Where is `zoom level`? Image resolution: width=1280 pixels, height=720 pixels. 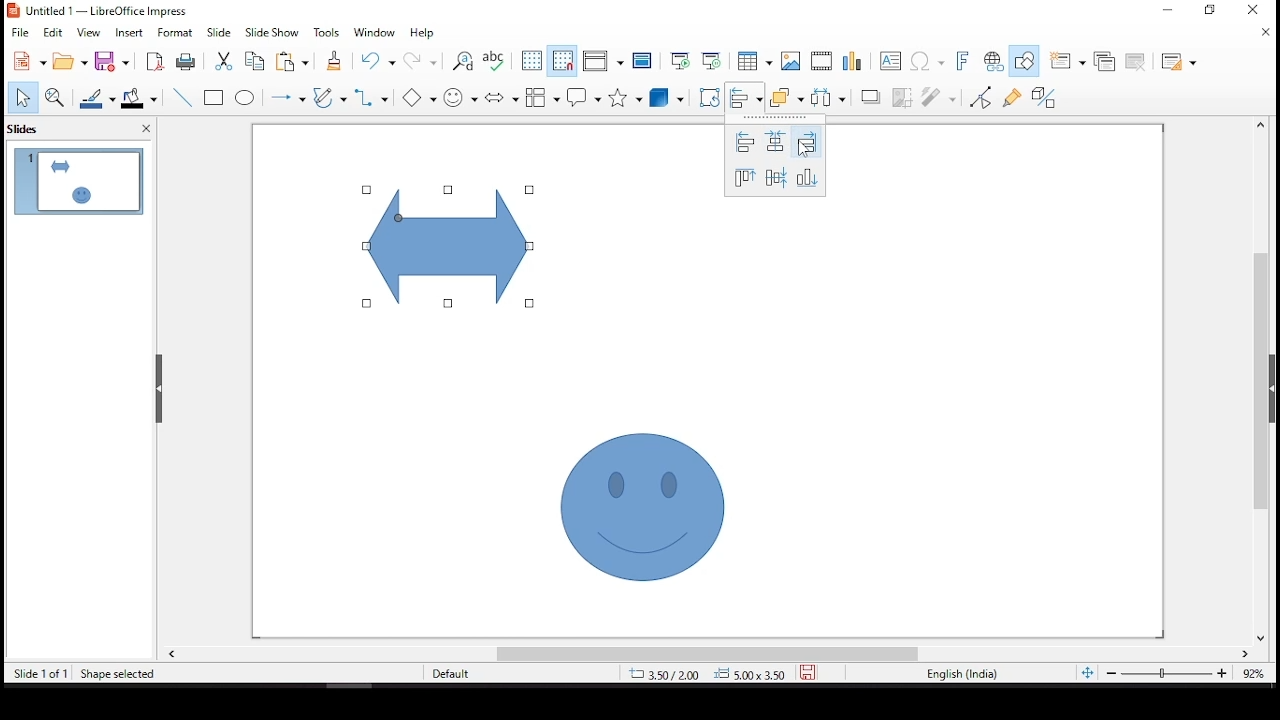 zoom level is located at coordinates (1252, 674).